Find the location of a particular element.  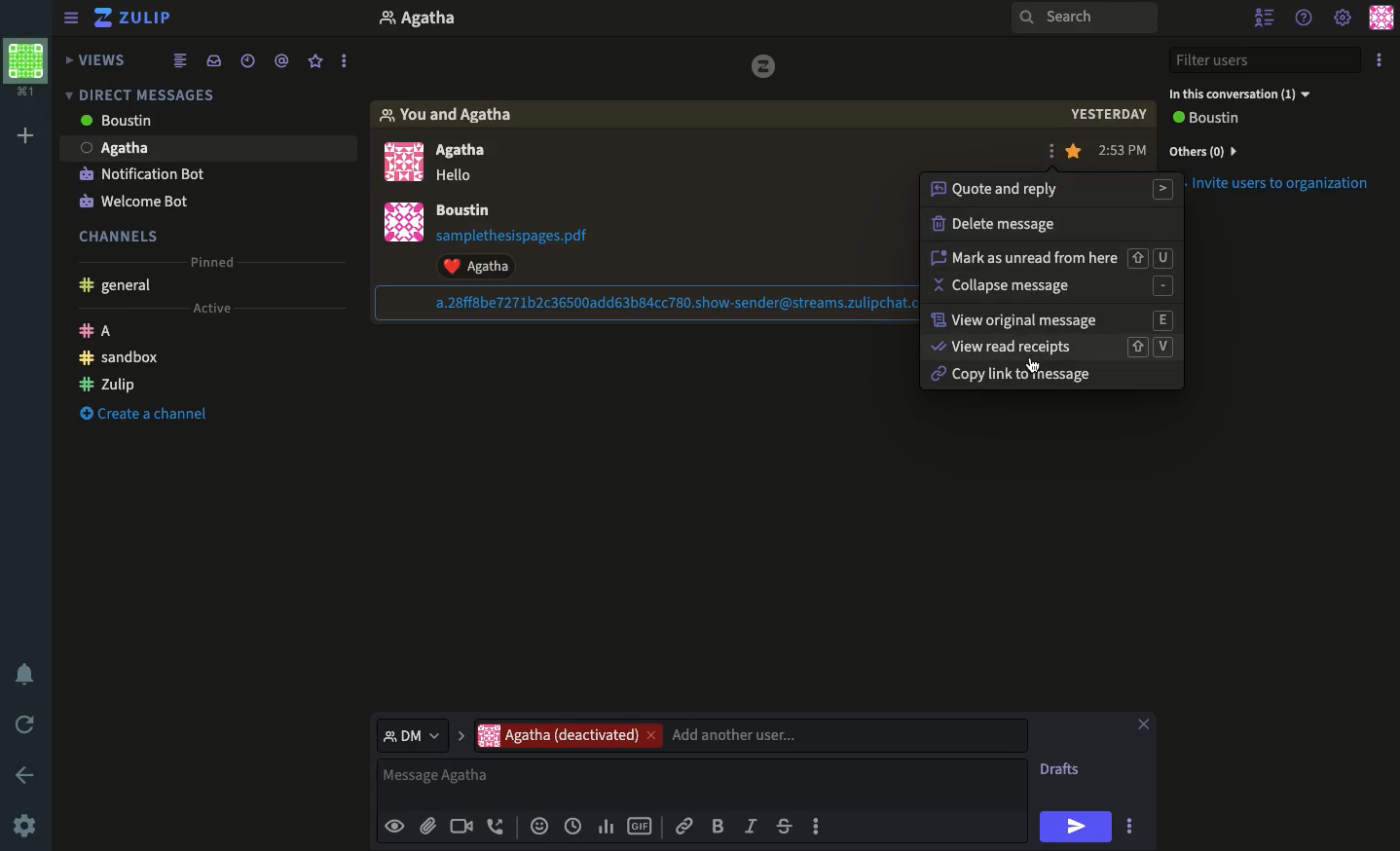

Profile is located at coordinates (1383, 17).